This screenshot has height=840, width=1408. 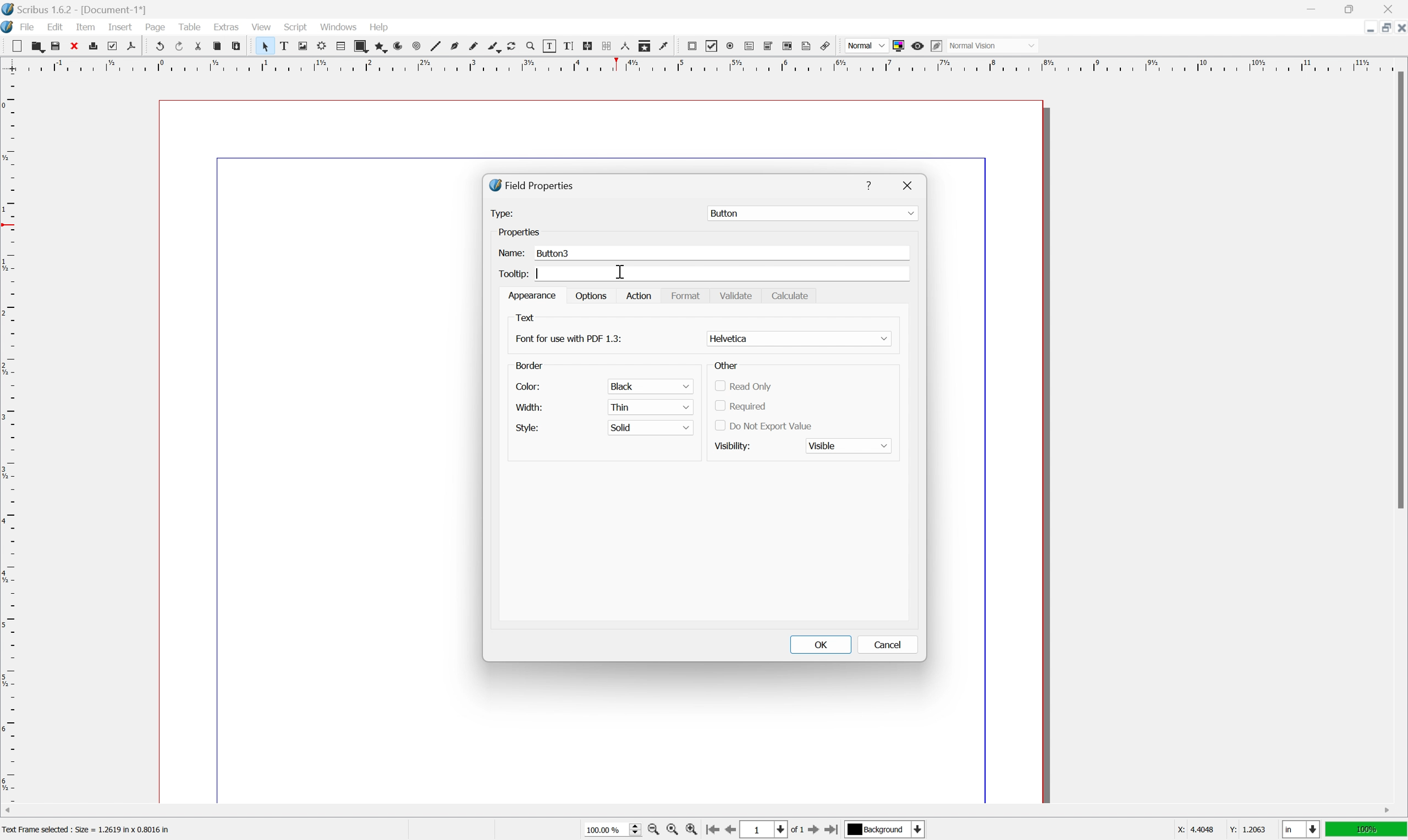 I want to click on help, so click(x=379, y=27).